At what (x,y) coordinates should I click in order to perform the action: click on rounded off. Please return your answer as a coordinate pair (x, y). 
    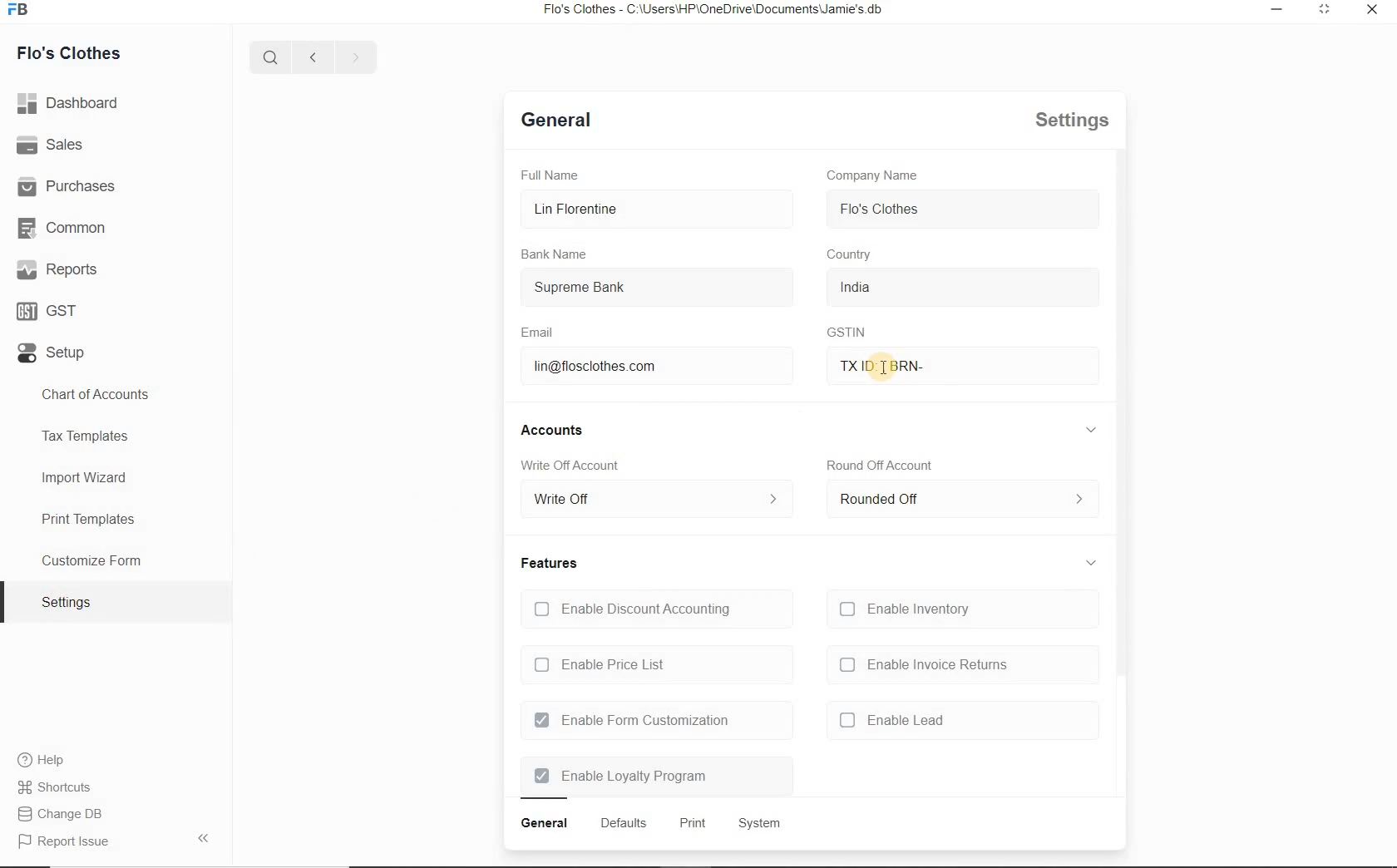
    Looking at the image, I should click on (958, 503).